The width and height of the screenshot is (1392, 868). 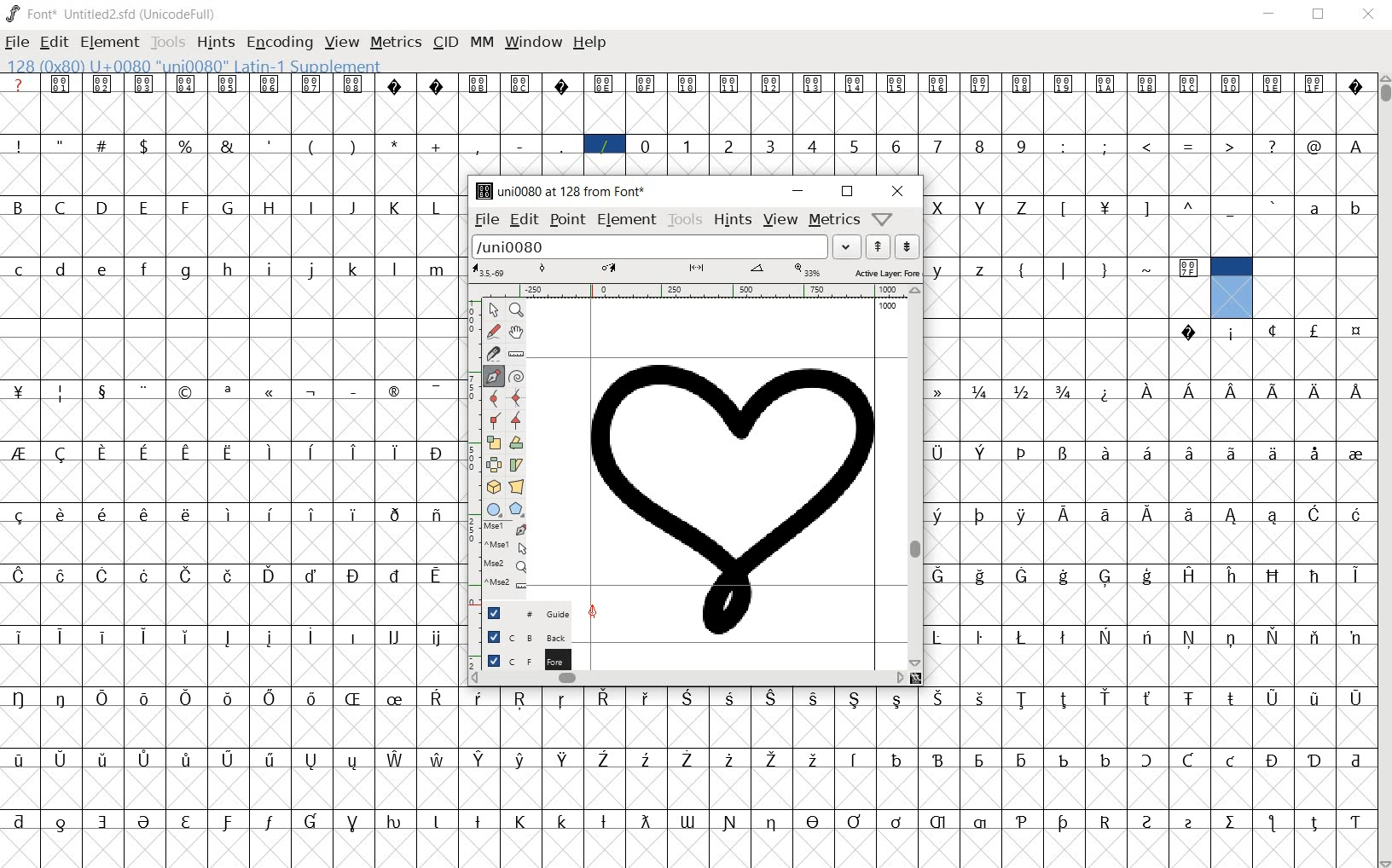 I want to click on glyph, so click(x=1145, y=760).